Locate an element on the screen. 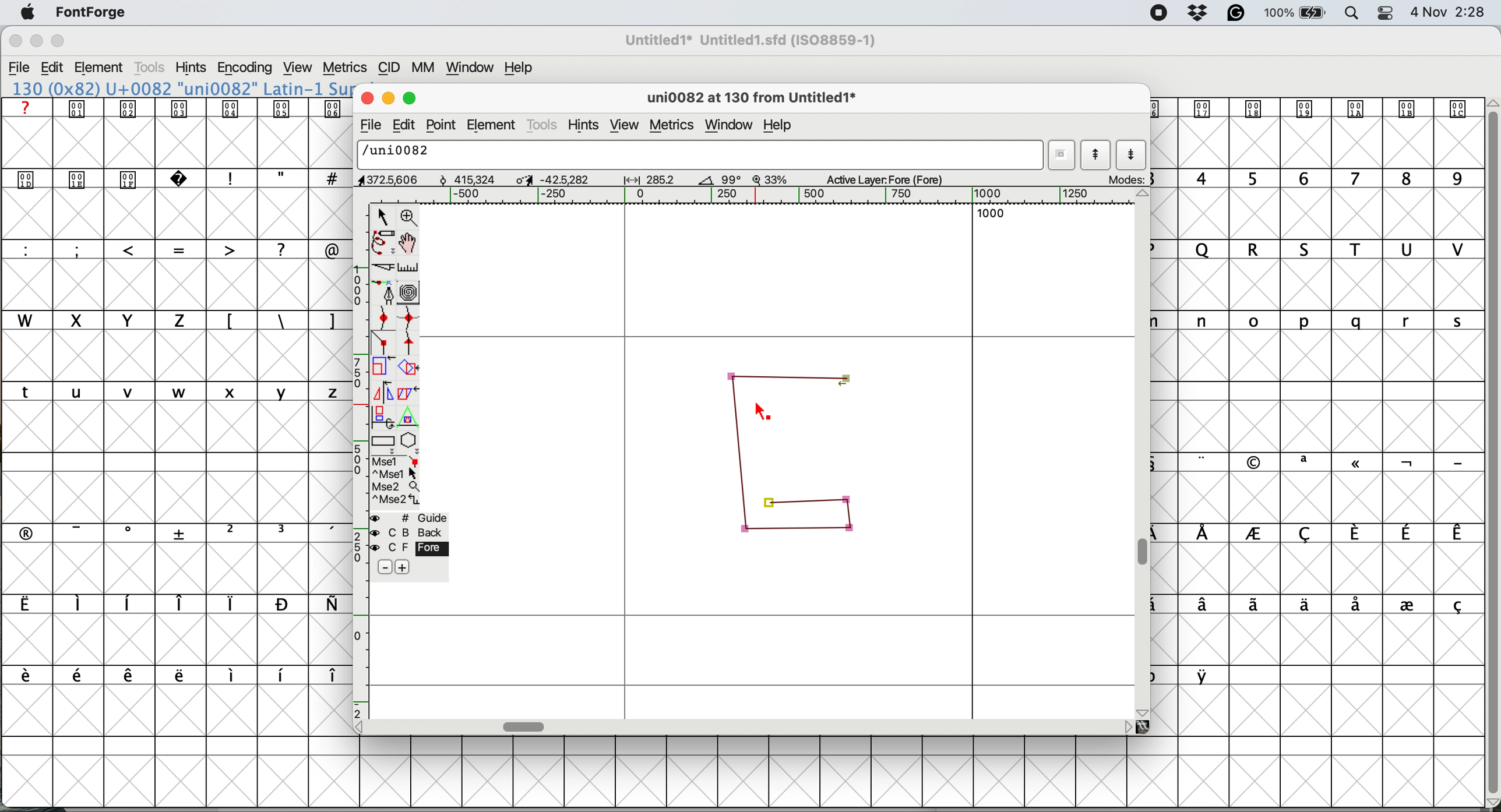 This screenshot has height=812, width=1501. metrics is located at coordinates (674, 127).